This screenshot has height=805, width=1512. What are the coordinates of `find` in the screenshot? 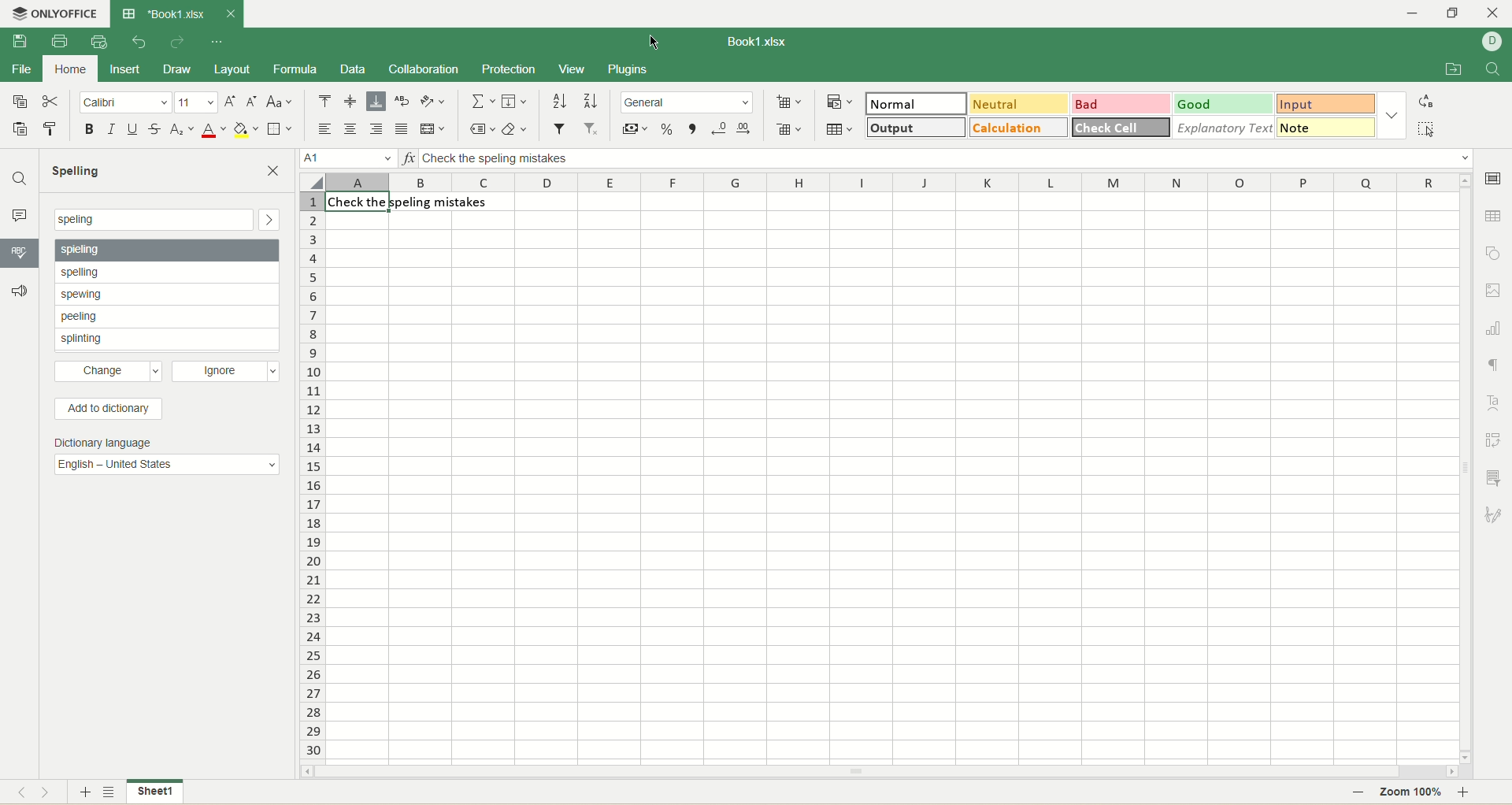 It's located at (1492, 70).